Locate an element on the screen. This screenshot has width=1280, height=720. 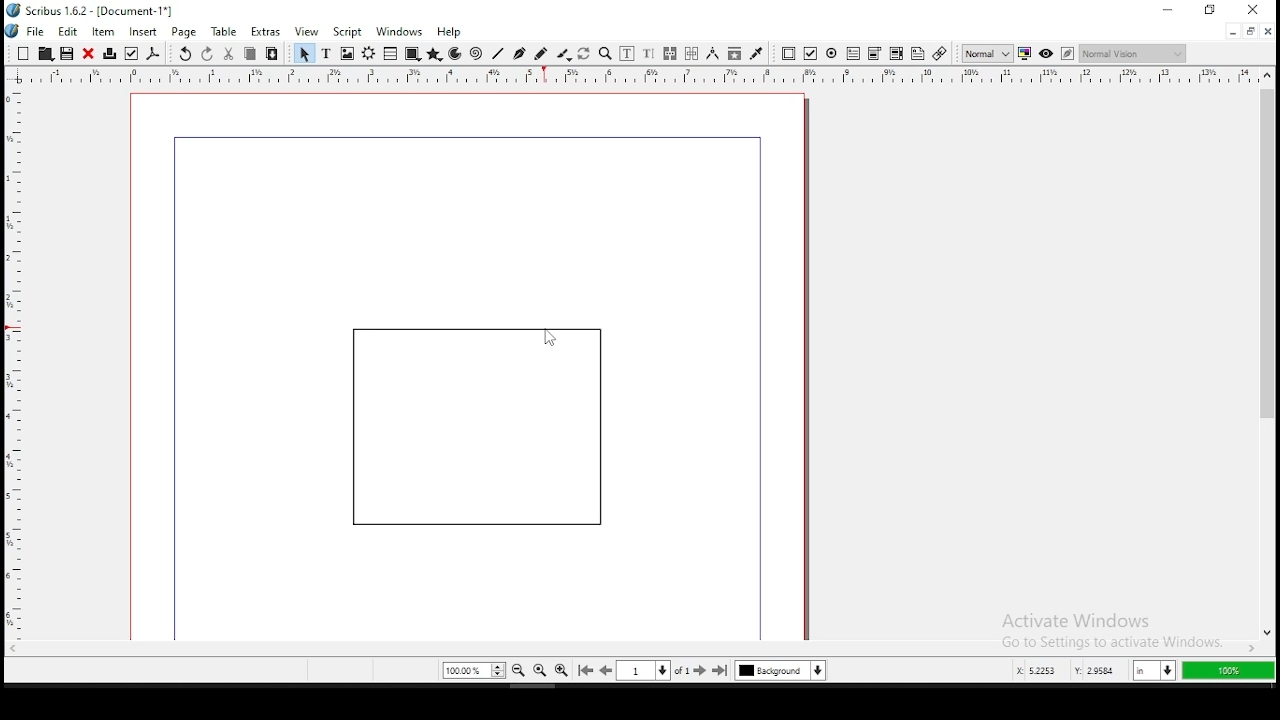
edit contents of frame is located at coordinates (627, 54).